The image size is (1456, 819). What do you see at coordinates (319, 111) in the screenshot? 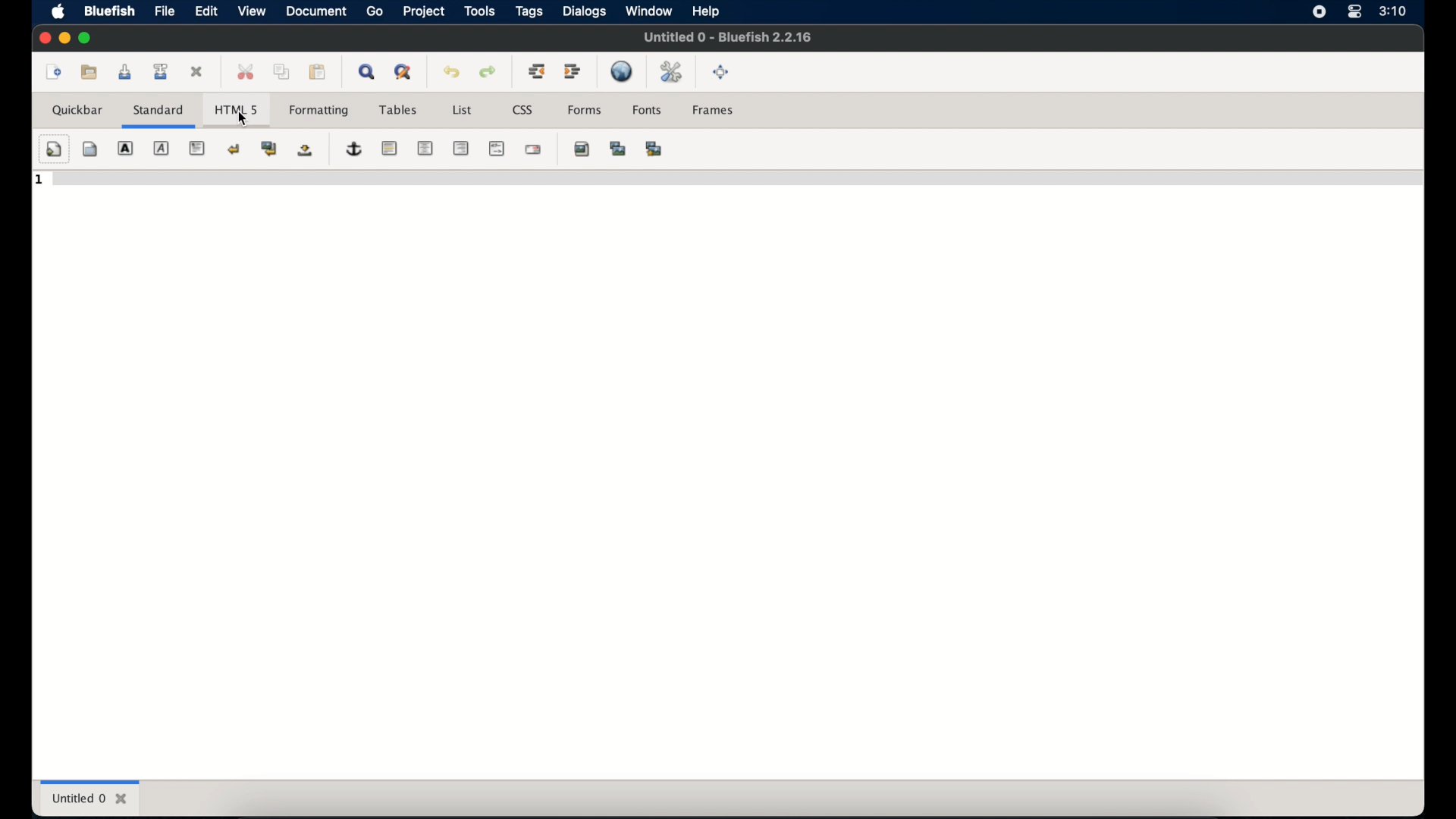
I see `formatting` at bounding box center [319, 111].